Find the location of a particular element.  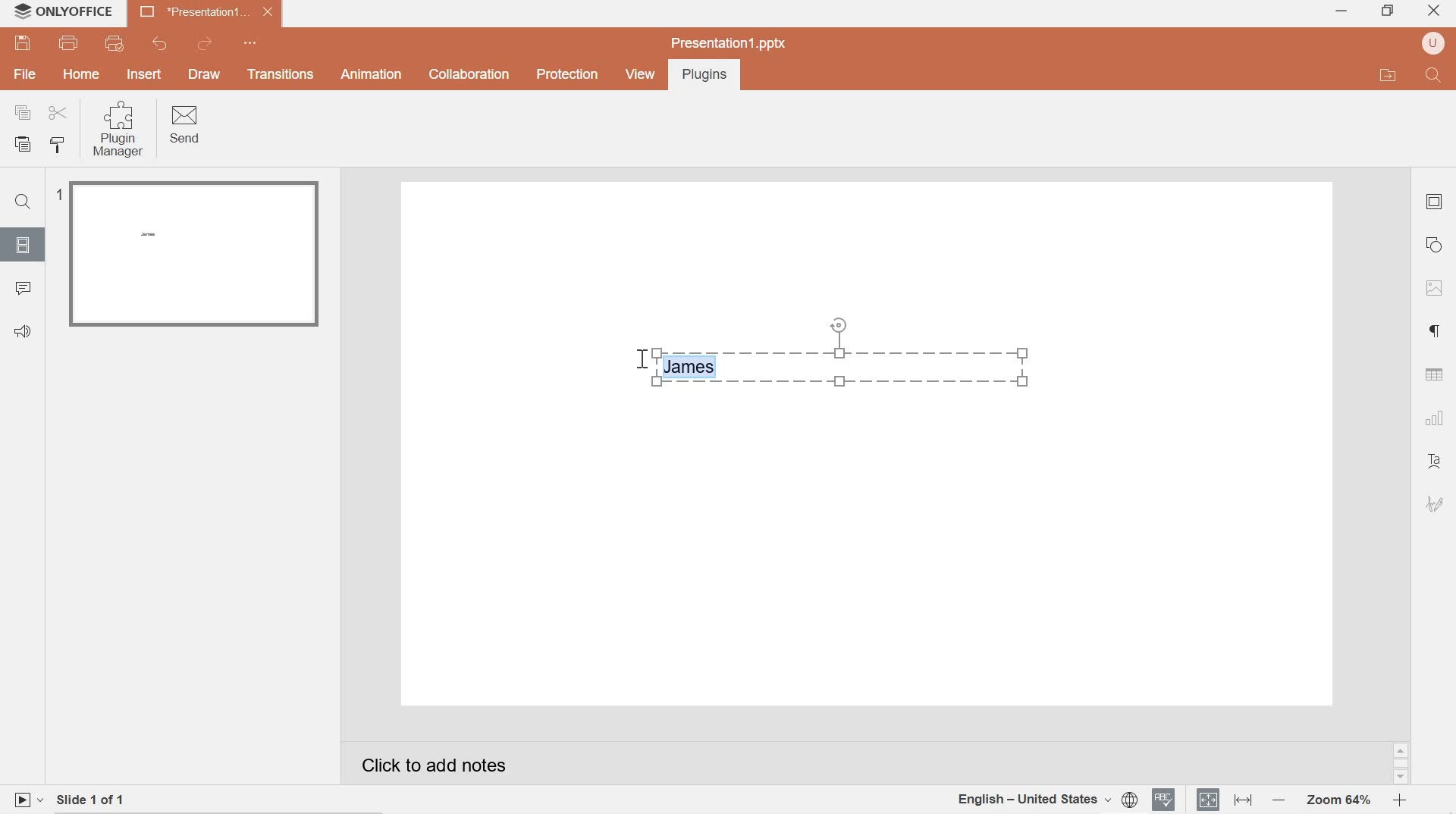

user is located at coordinates (1433, 44).